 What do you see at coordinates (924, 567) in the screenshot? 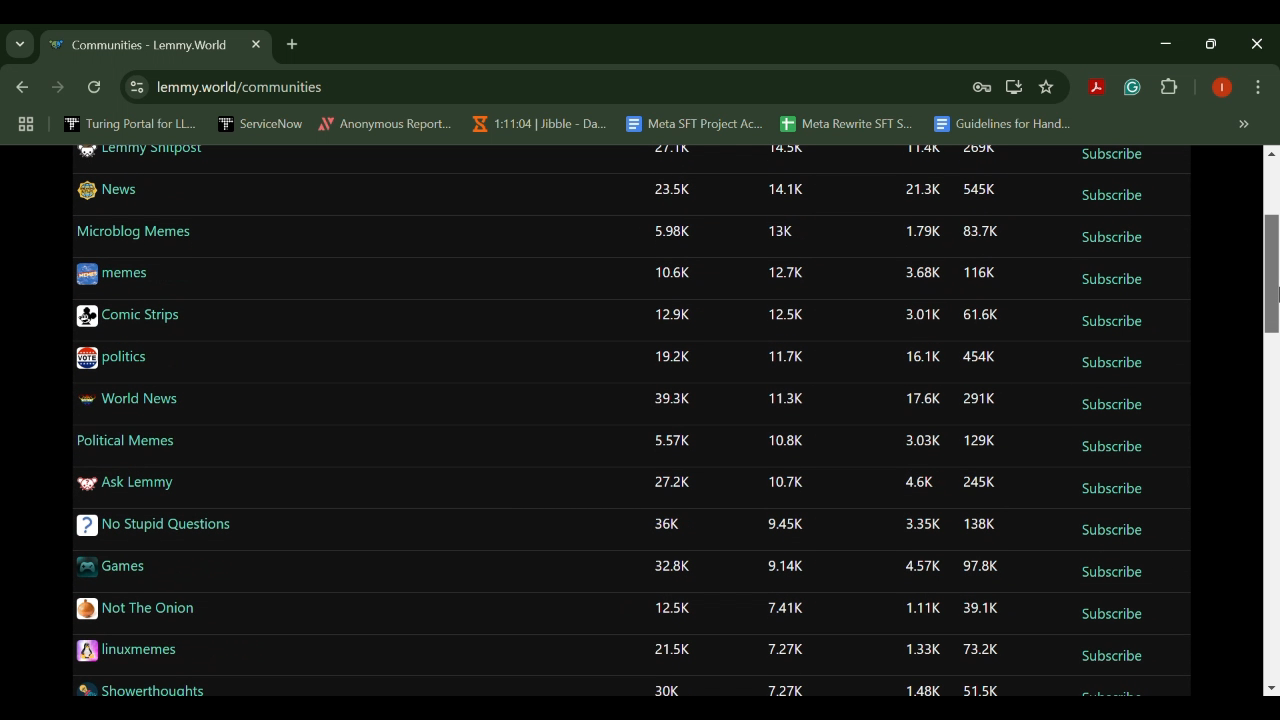
I see `4.57K` at bounding box center [924, 567].